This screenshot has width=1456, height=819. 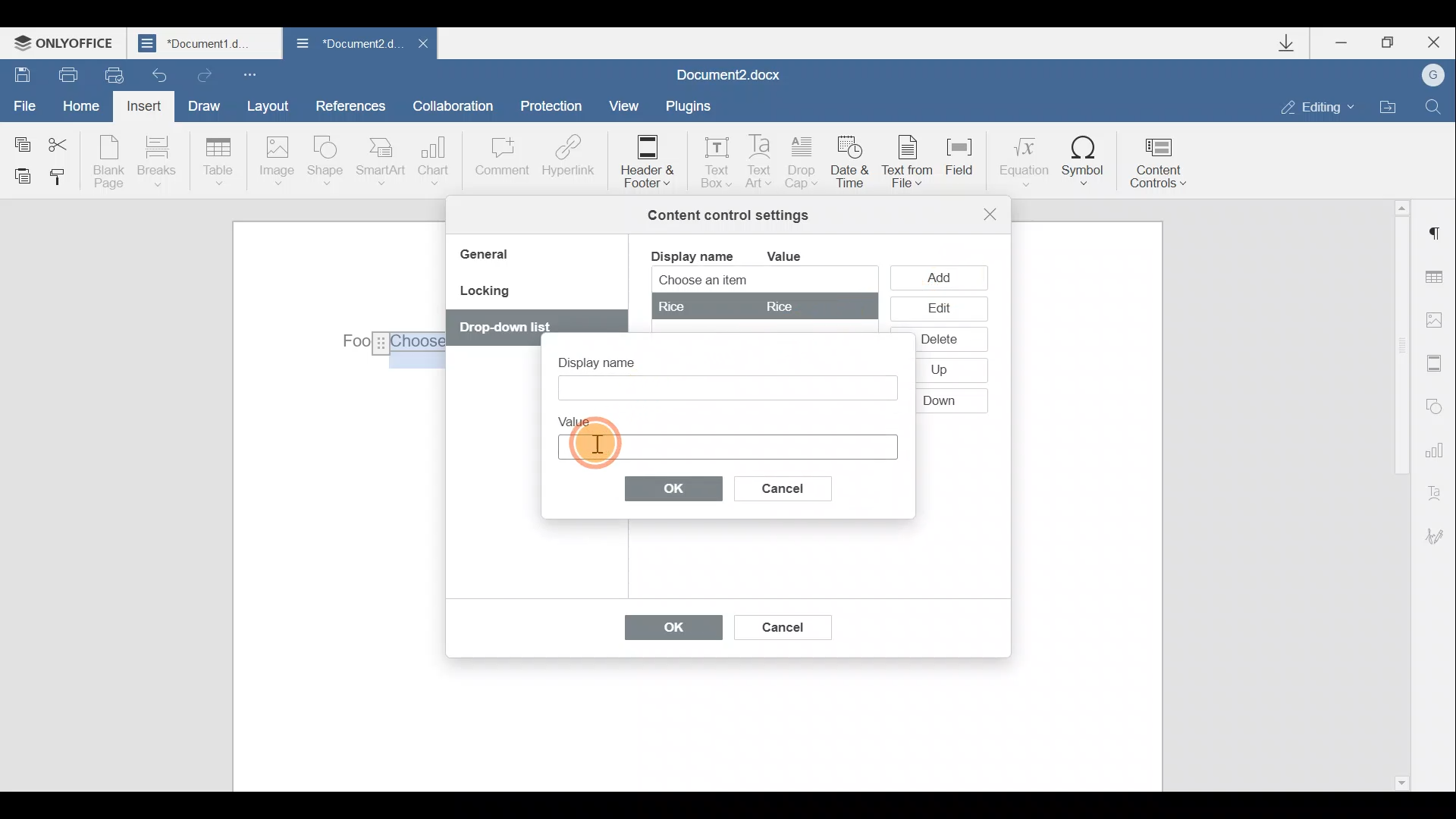 What do you see at coordinates (112, 76) in the screenshot?
I see `Quick print` at bounding box center [112, 76].